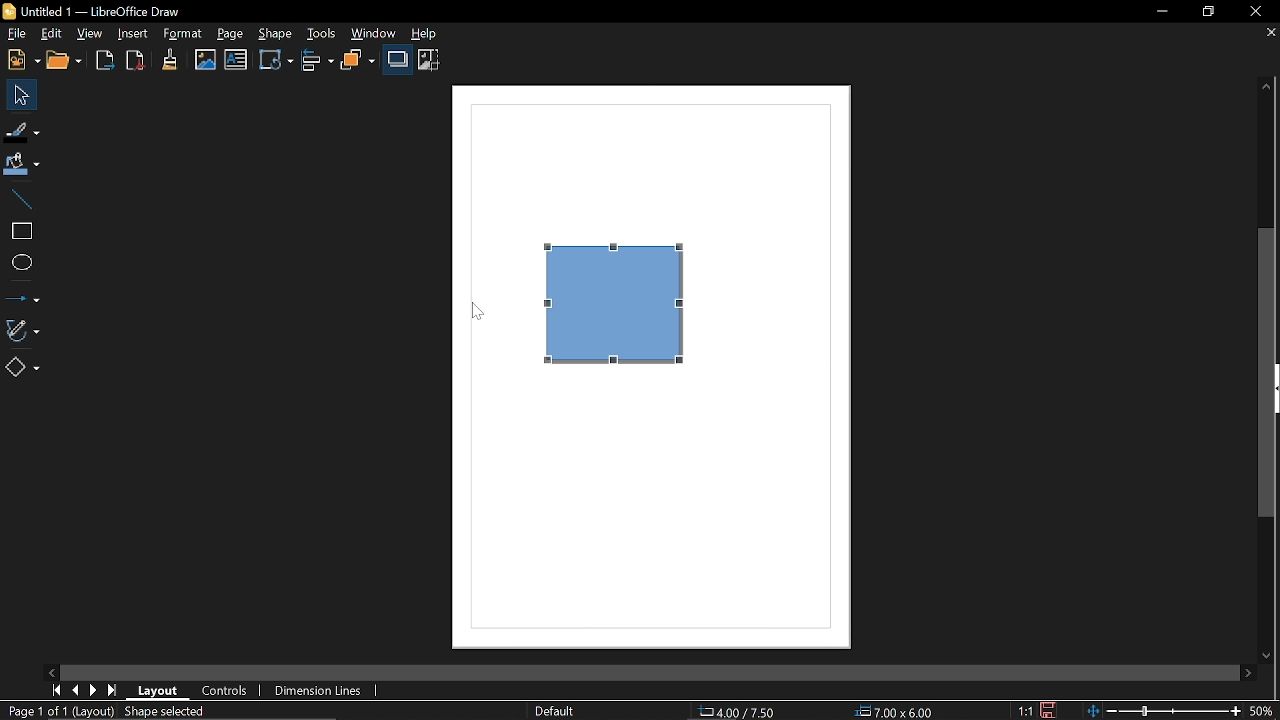  I want to click on Current zoom, so click(1165, 712).